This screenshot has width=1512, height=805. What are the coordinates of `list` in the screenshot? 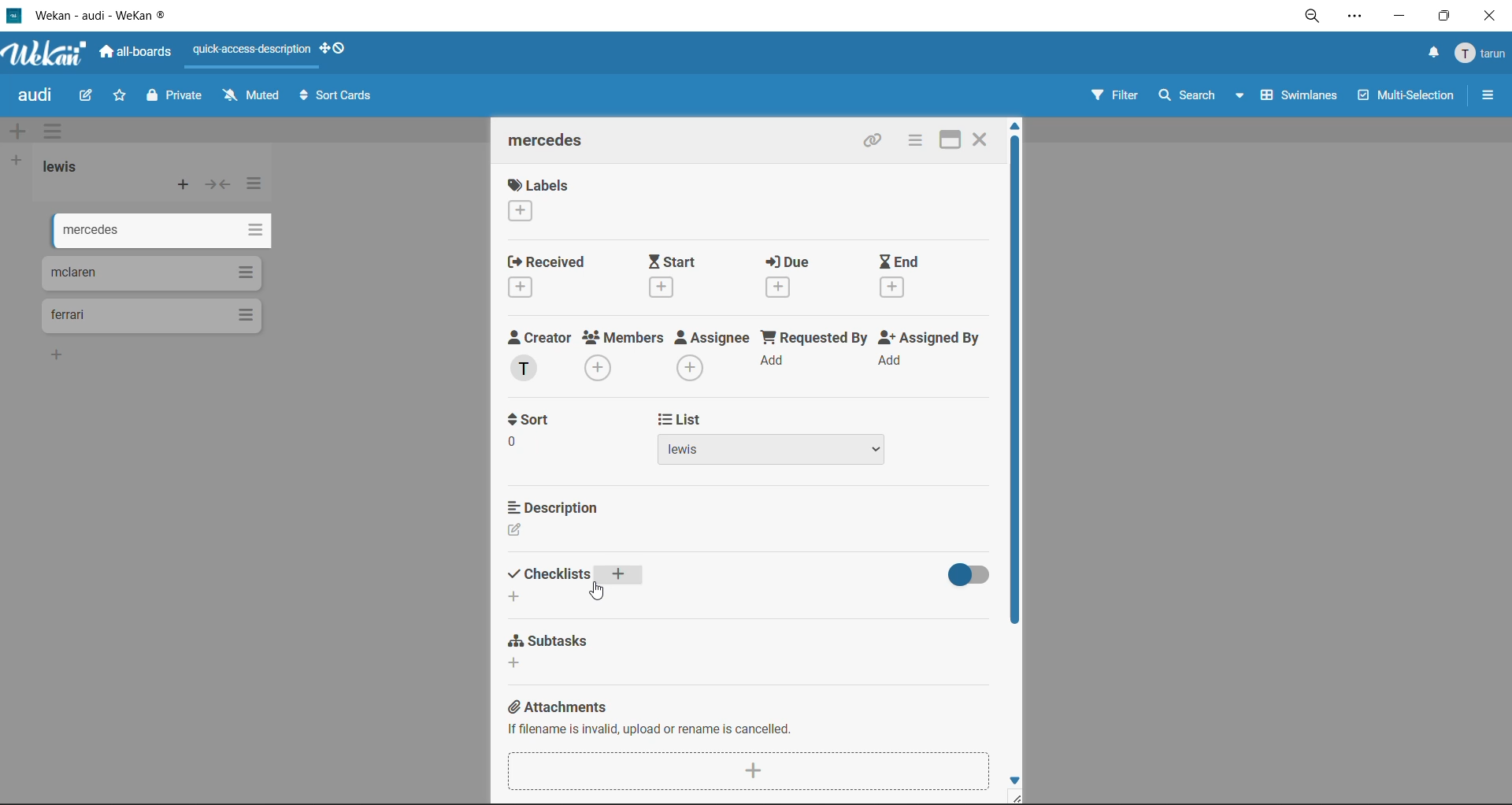 It's located at (683, 420).